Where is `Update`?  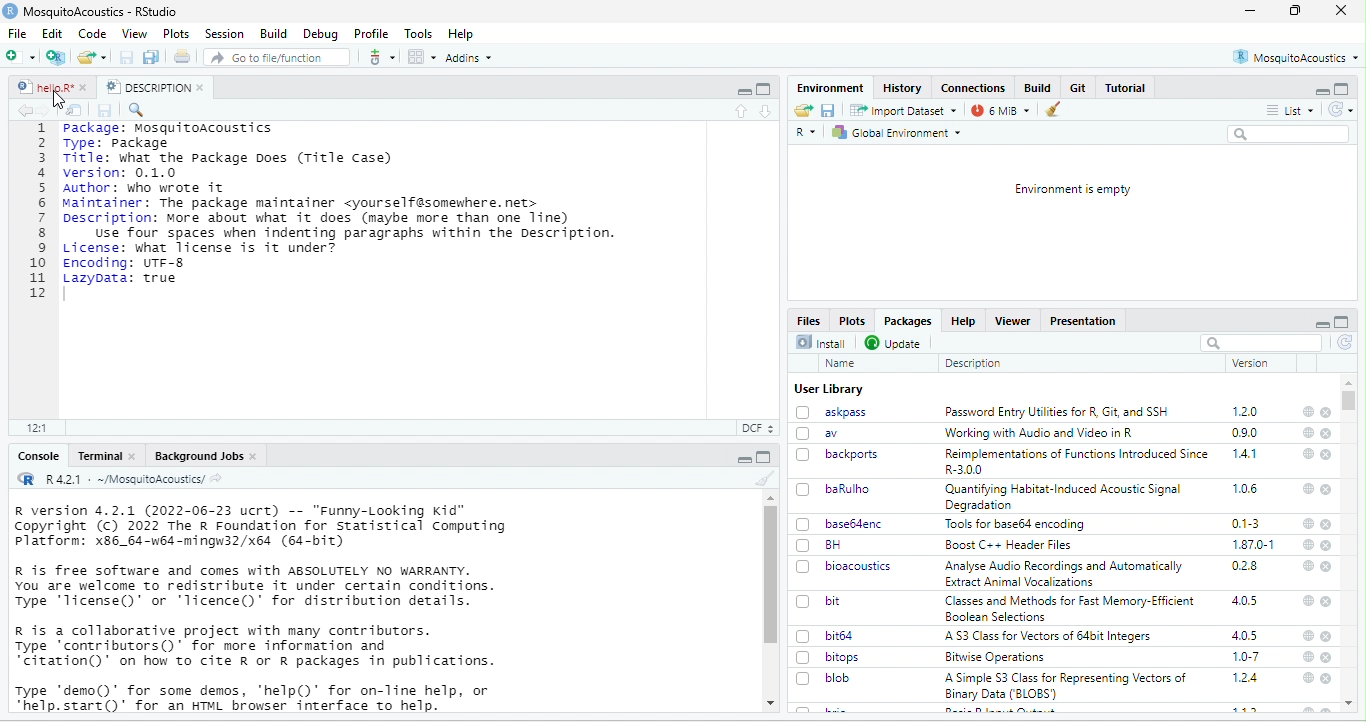
Update is located at coordinates (894, 342).